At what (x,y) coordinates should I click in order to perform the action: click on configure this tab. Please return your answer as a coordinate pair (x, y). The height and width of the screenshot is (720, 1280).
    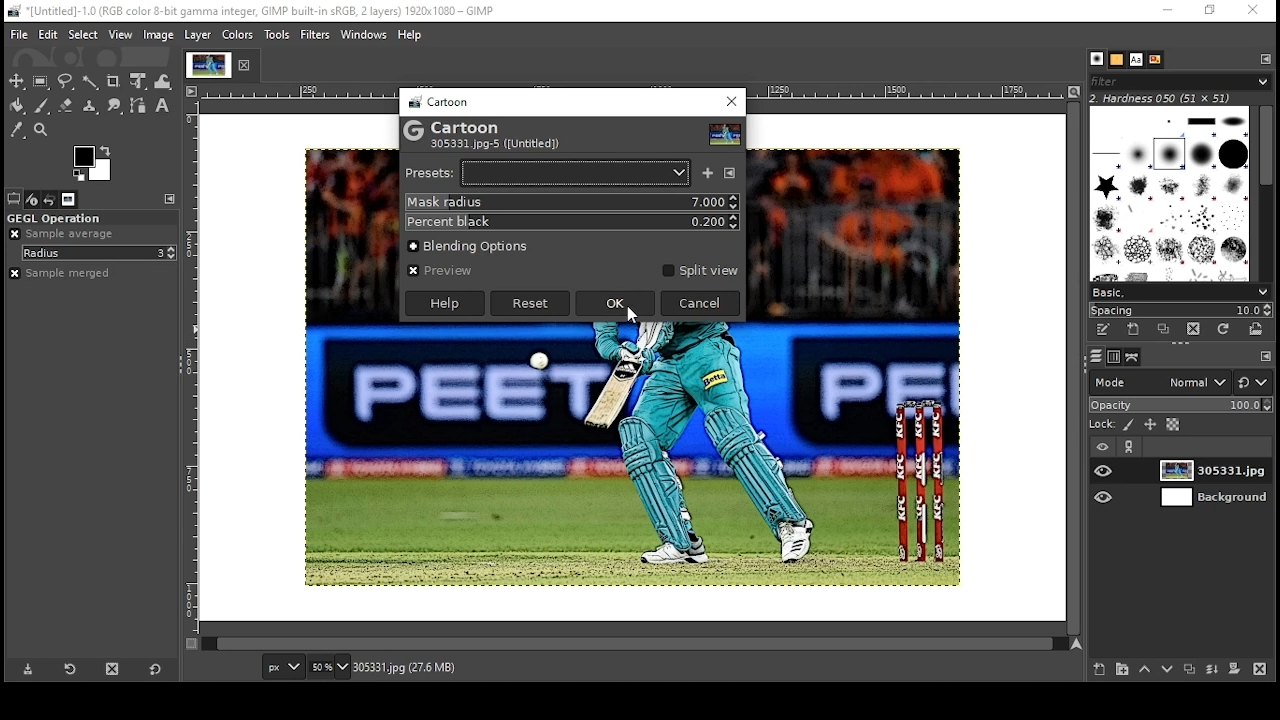
    Looking at the image, I should click on (1264, 358).